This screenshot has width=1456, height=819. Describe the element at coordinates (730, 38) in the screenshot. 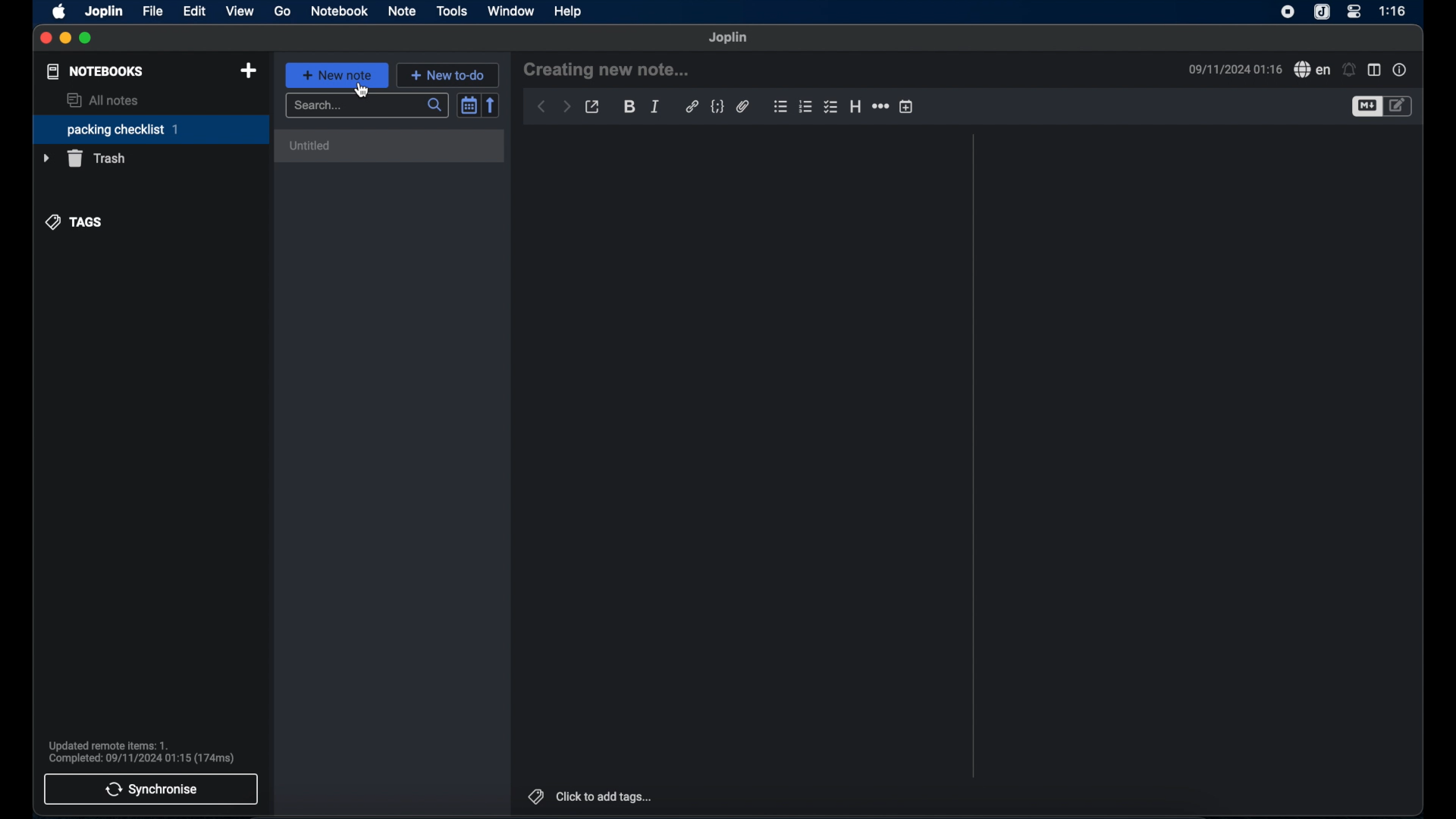

I see `joplin` at that location.